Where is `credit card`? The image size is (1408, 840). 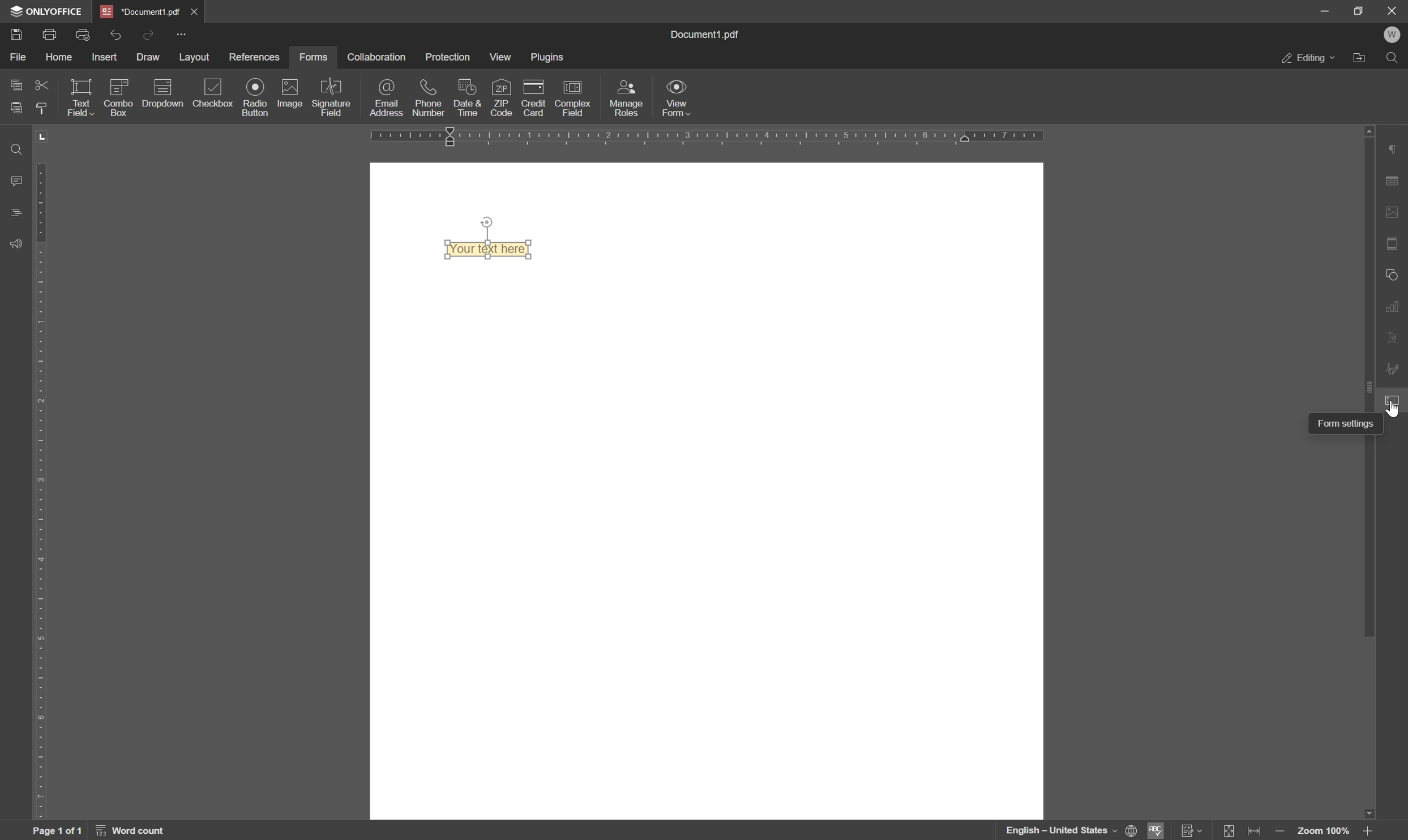 credit card is located at coordinates (533, 98).